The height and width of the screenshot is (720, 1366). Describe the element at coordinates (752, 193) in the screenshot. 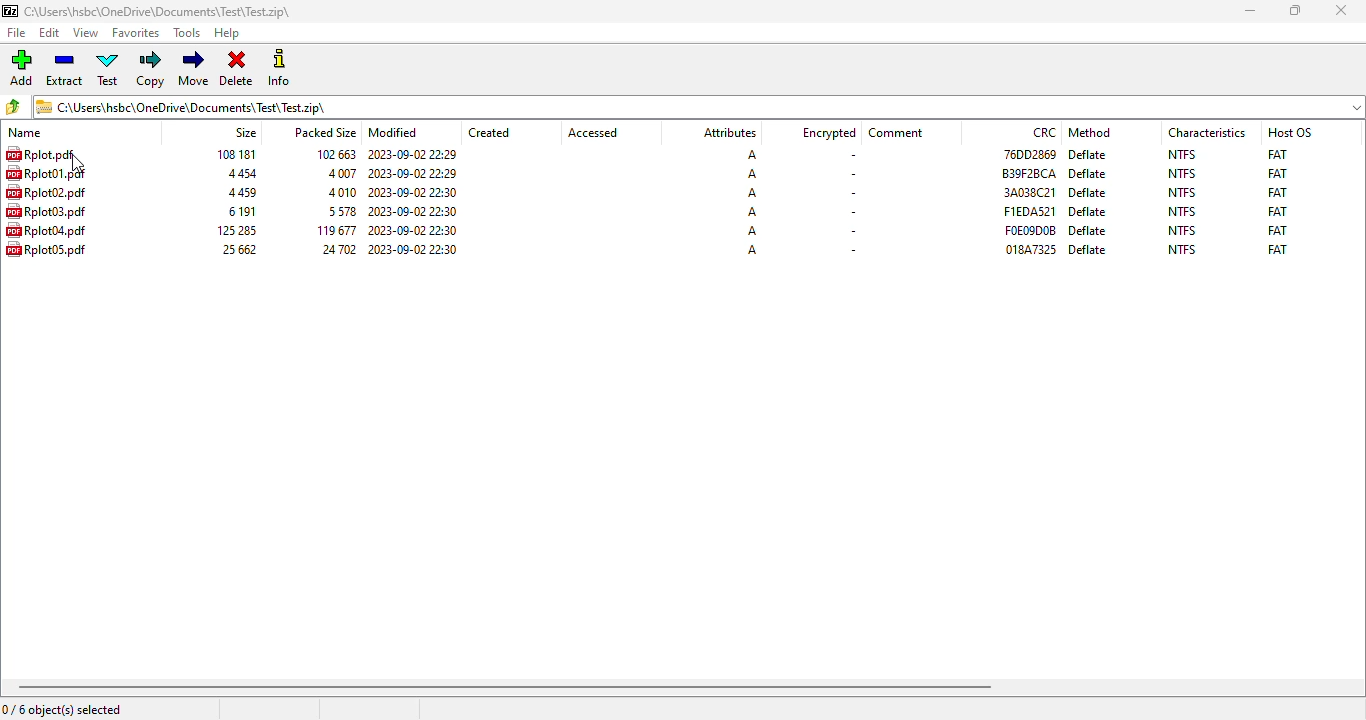

I see `A` at that location.